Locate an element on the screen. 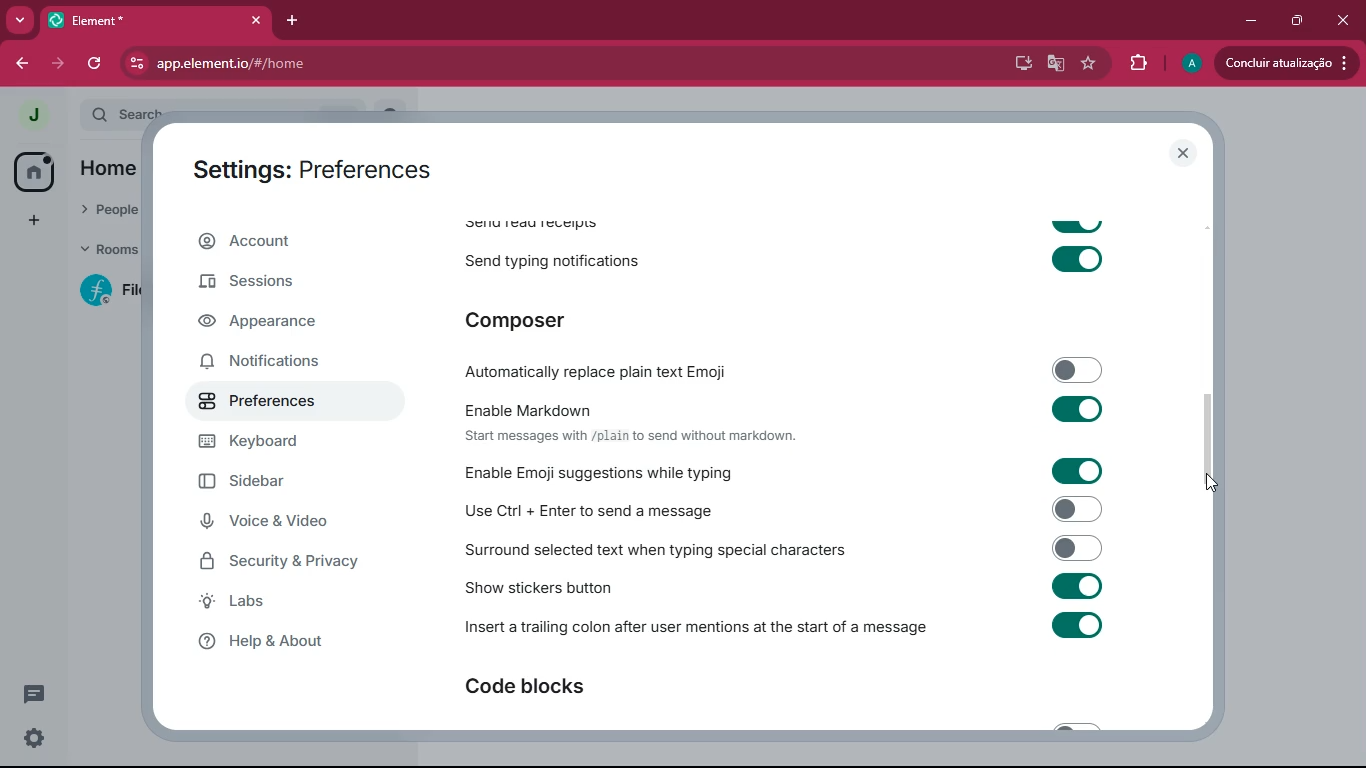 The image size is (1366, 768). help is located at coordinates (277, 641).